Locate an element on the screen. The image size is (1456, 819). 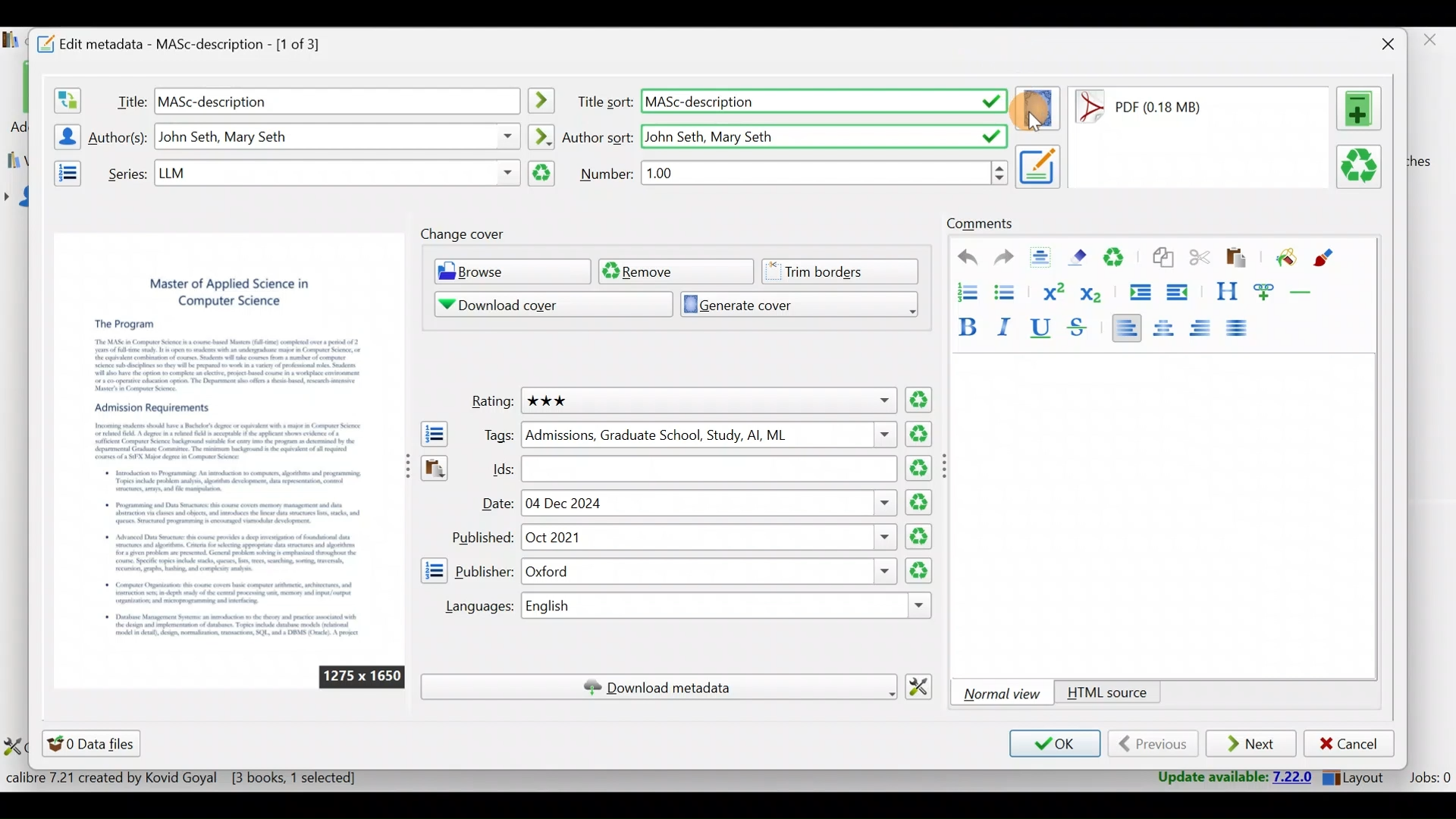
Remove the selected format from this book is located at coordinates (1362, 168).